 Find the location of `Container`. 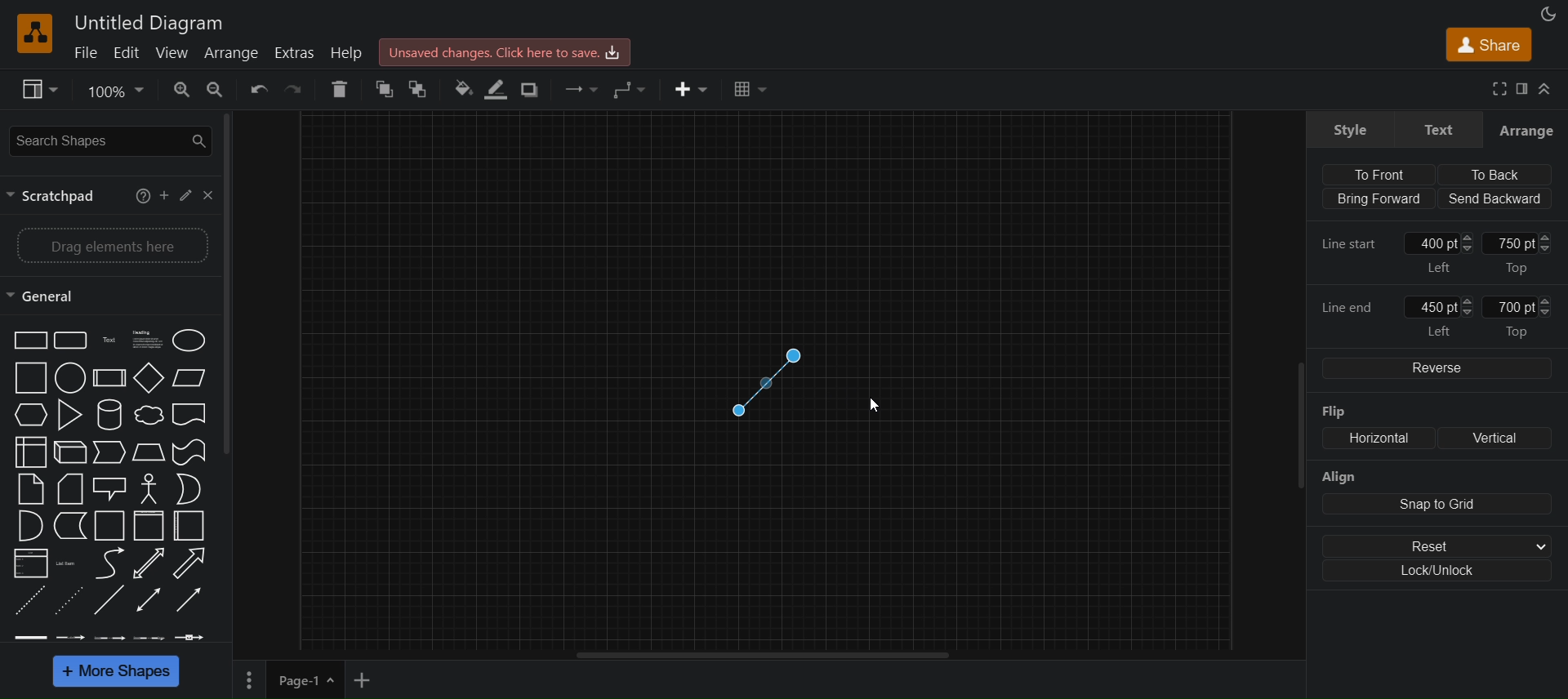

Container is located at coordinates (106, 525).